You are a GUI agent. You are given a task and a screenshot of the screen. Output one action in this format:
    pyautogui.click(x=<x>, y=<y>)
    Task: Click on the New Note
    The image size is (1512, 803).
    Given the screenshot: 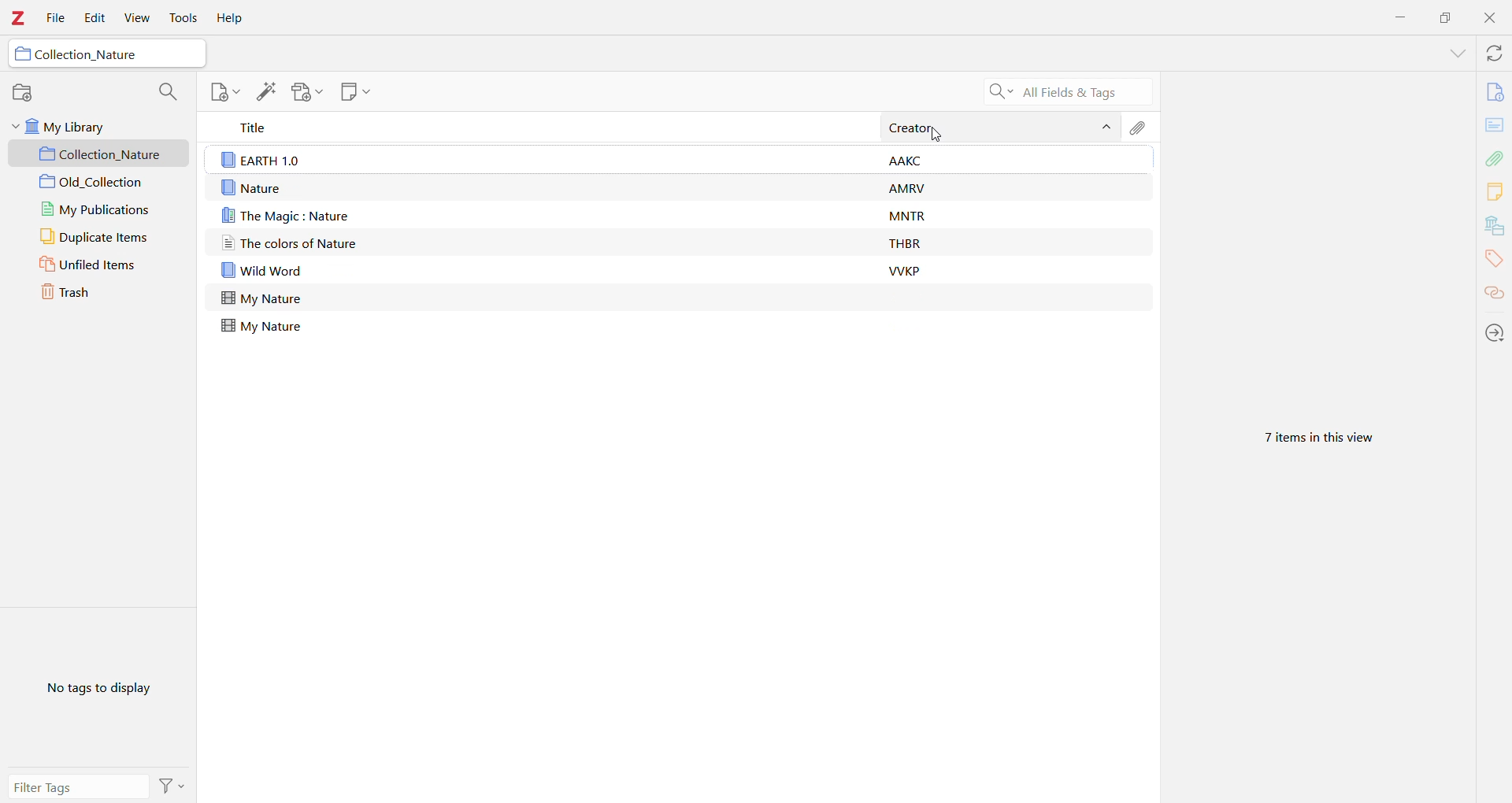 What is the action you would take?
    pyautogui.click(x=357, y=92)
    